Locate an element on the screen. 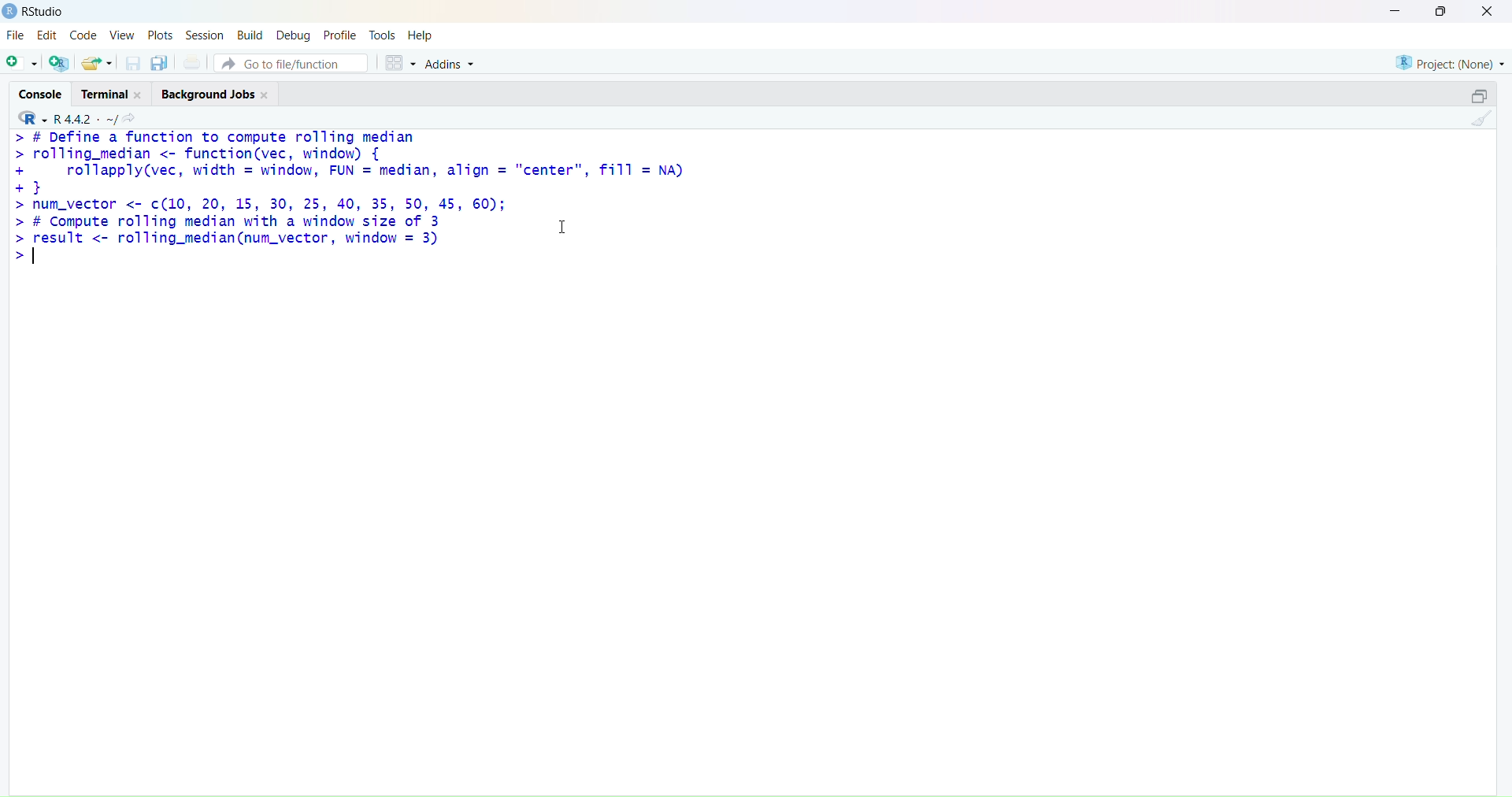 Image resolution: width=1512 pixels, height=797 pixels. debug is located at coordinates (292, 37).